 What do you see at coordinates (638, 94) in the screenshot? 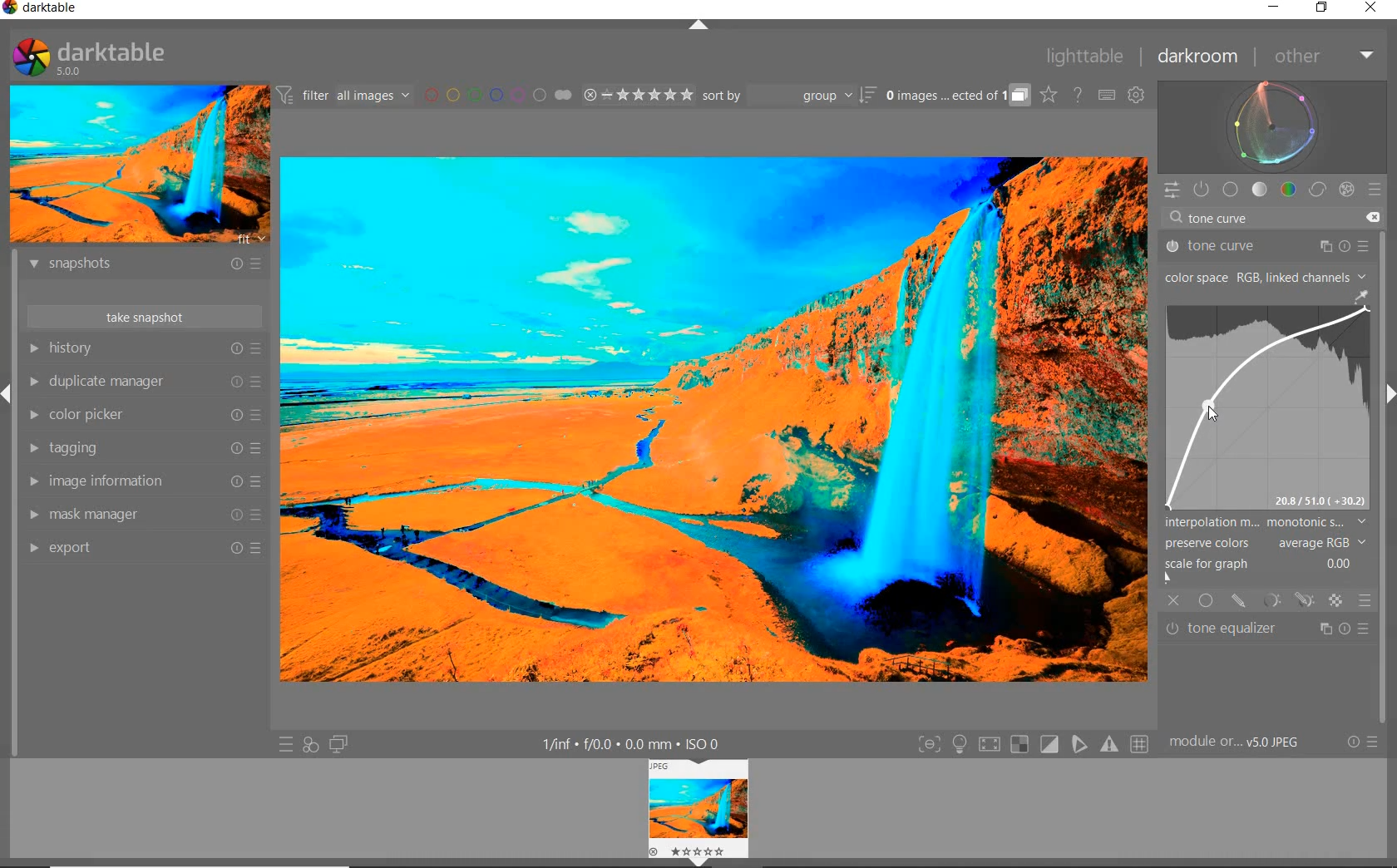
I see `RANGE RATING OF SELECTED IMAGES` at bounding box center [638, 94].